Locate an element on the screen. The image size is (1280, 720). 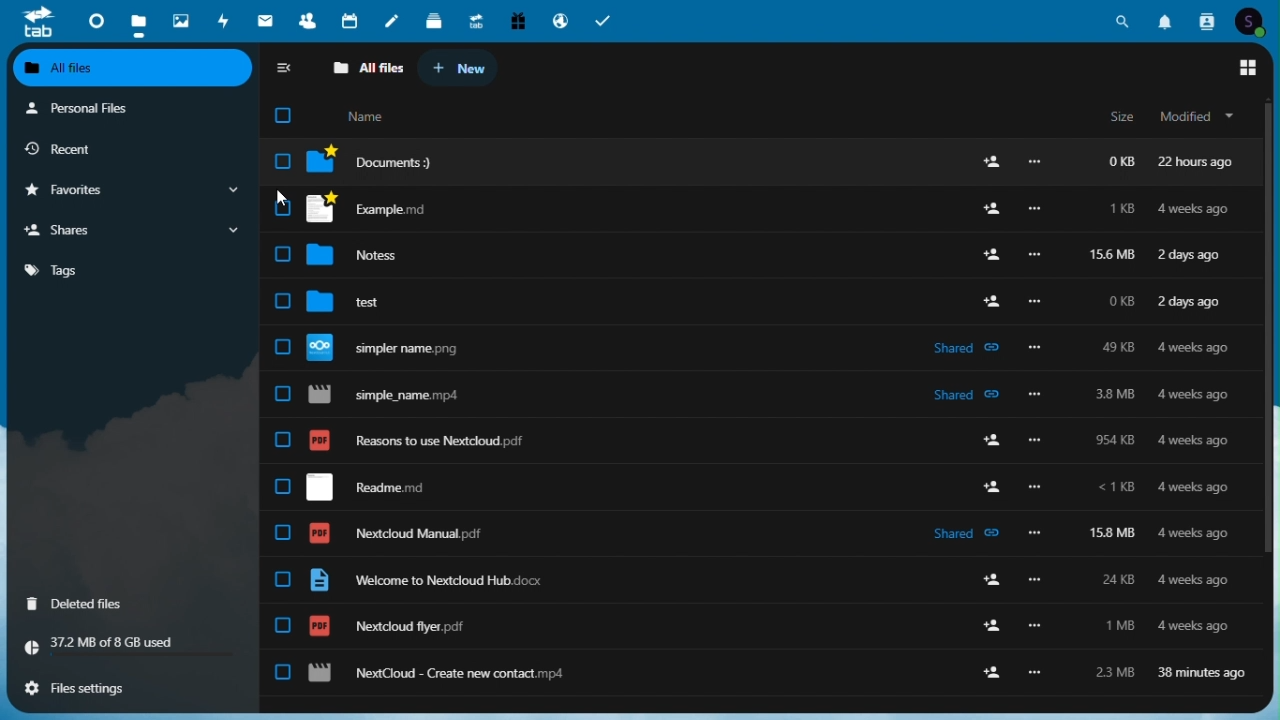
add user is located at coordinates (990, 209).